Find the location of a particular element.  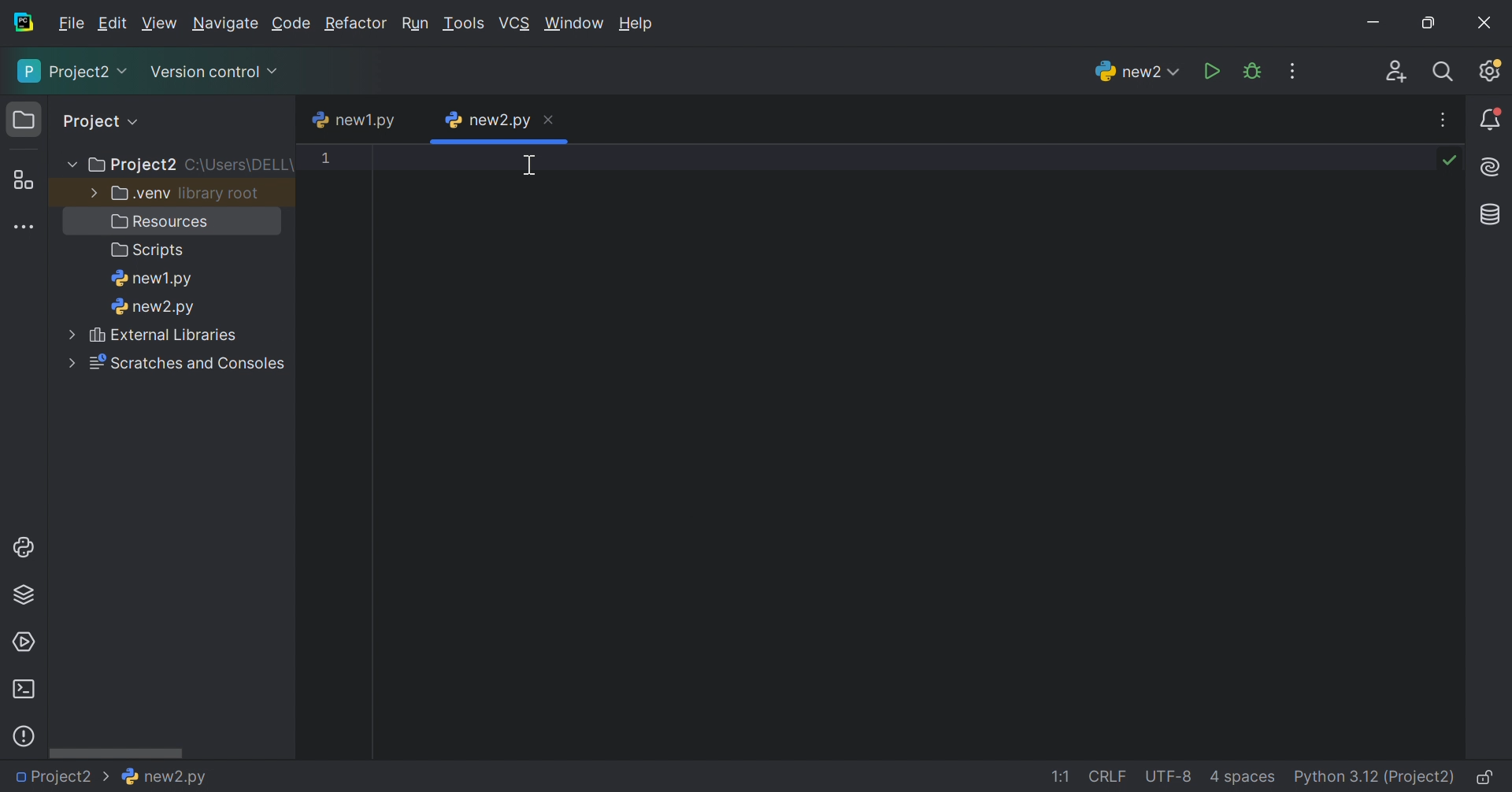

File is located at coordinates (71, 24).